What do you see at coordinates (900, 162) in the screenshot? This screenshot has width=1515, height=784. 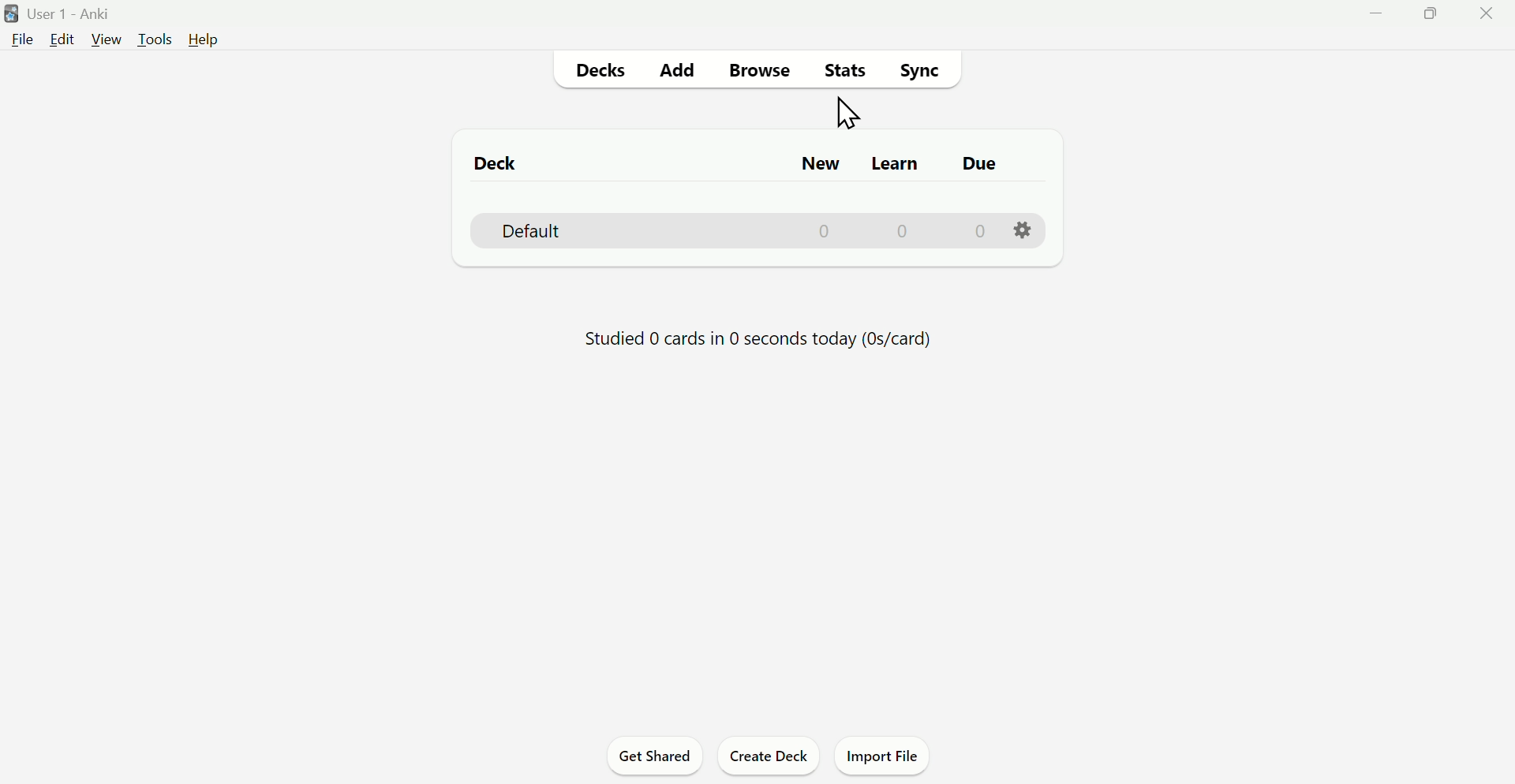 I see `Learn` at bounding box center [900, 162].